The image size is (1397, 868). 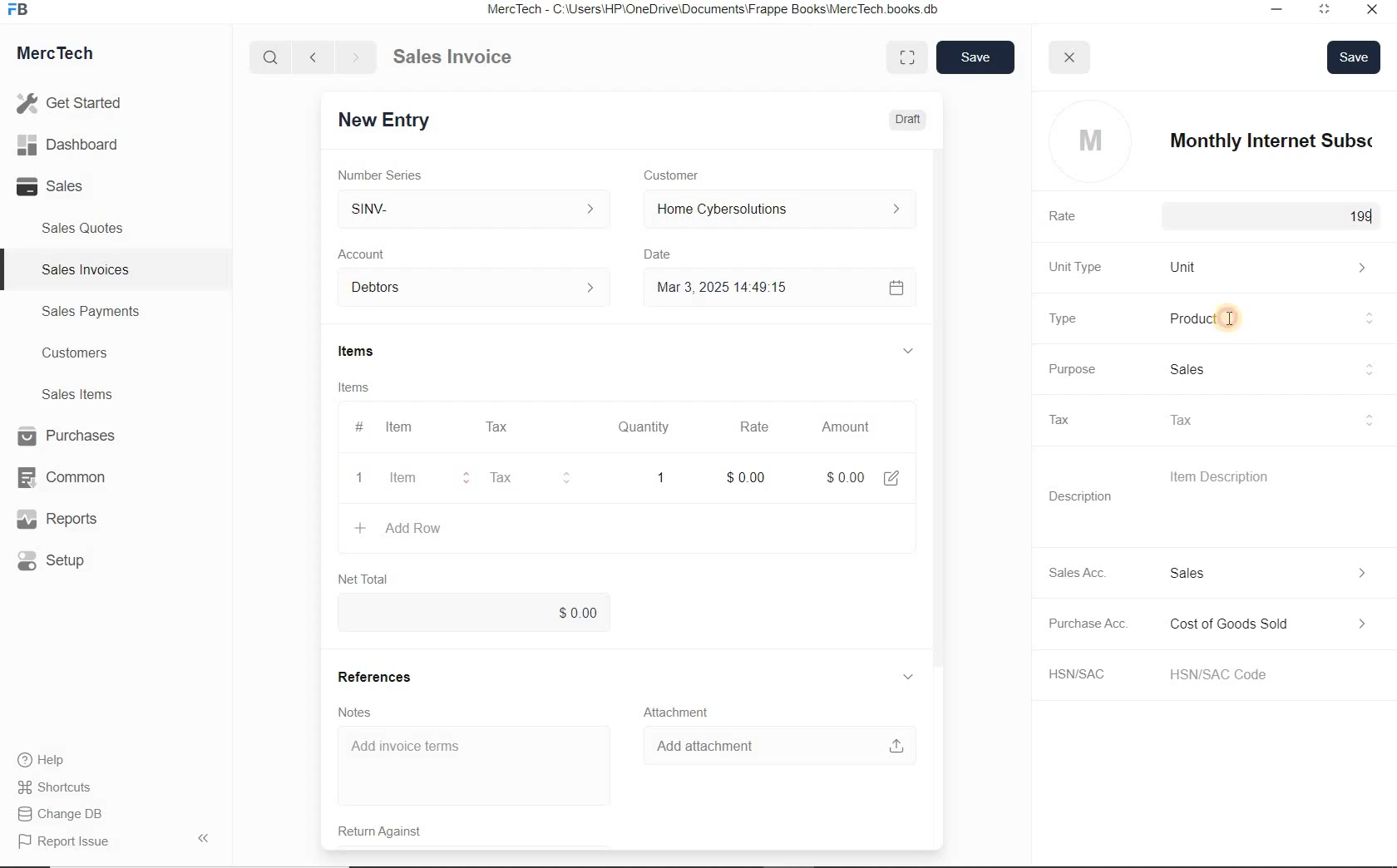 What do you see at coordinates (361, 455) in the screenshot?
I see `item line number` at bounding box center [361, 455].